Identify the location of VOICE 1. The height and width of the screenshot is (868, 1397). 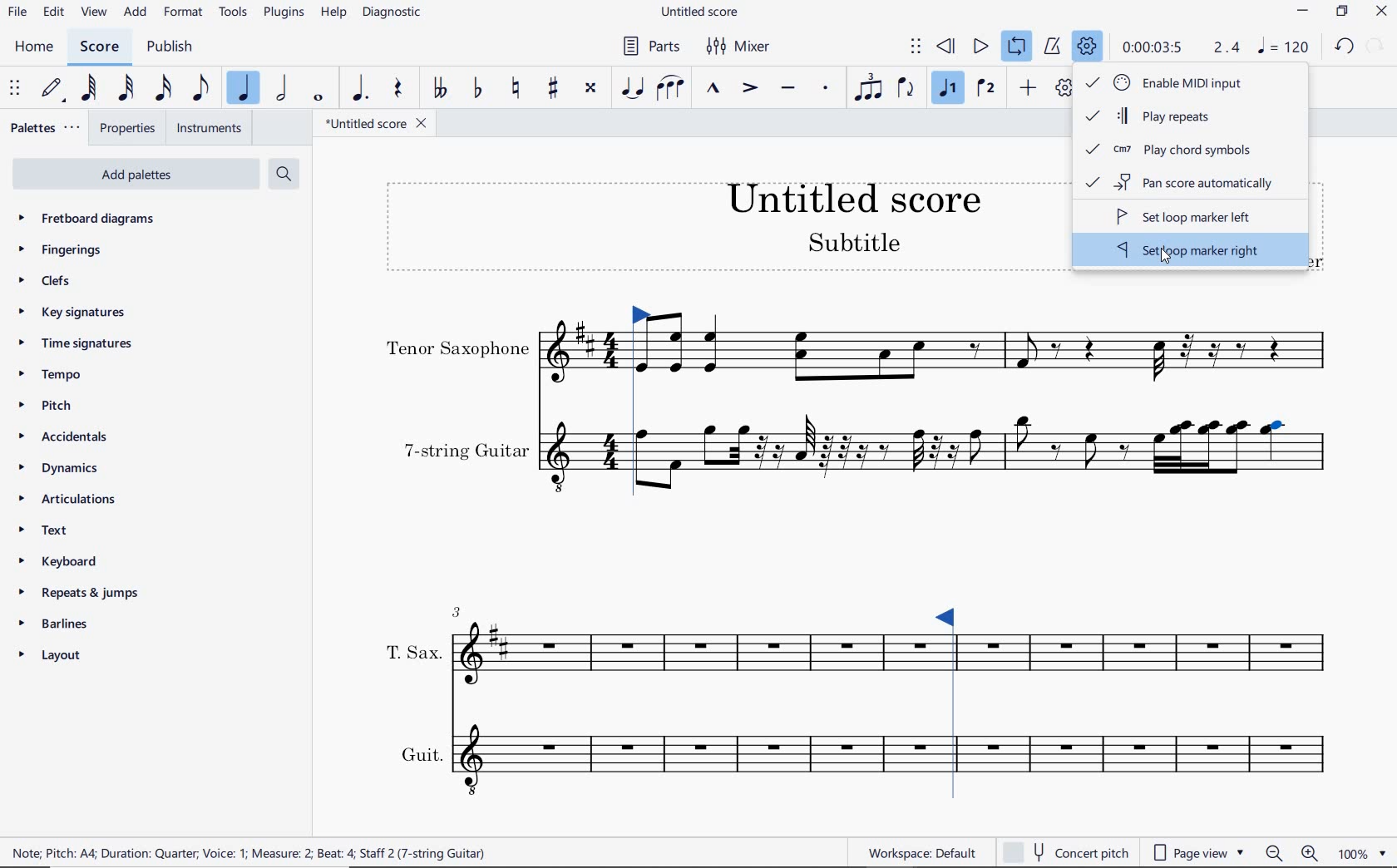
(949, 89).